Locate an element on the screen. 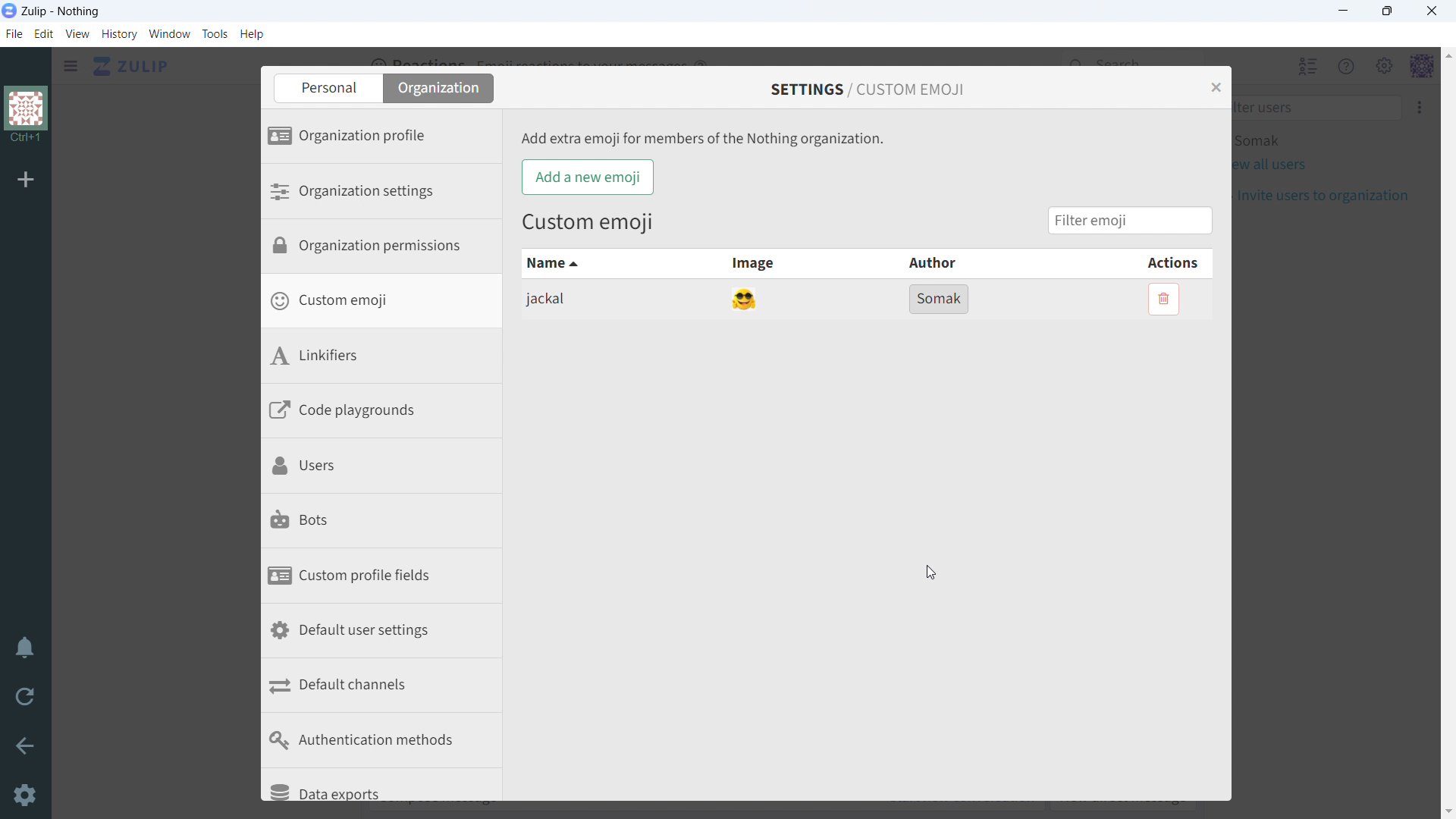 The image size is (1456, 819). view all users is located at coordinates (1281, 165).